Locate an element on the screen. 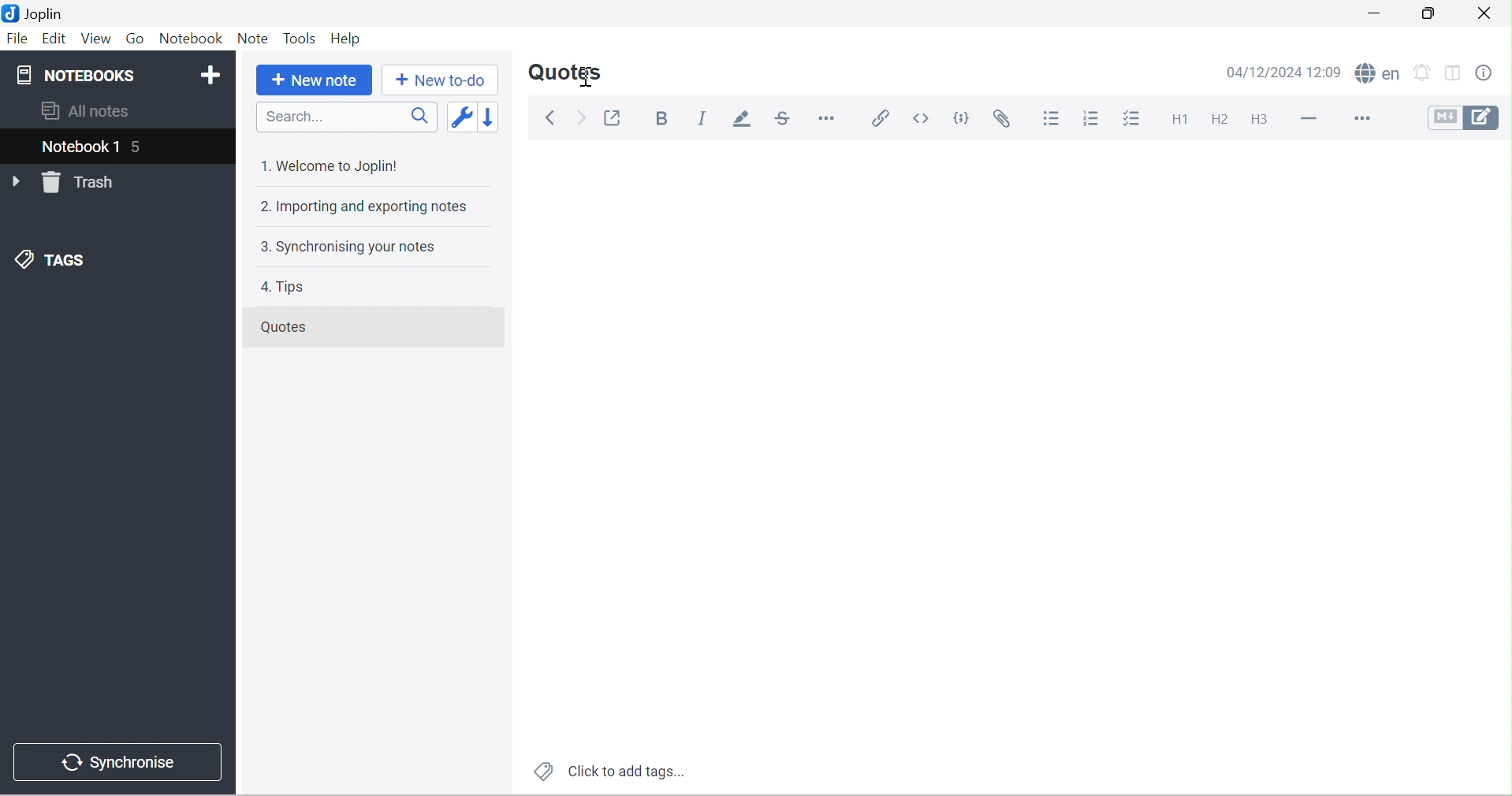 Image resolution: width=1512 pixels, height=796 pixels. Click to add tags is located at coordinates (612, 770).